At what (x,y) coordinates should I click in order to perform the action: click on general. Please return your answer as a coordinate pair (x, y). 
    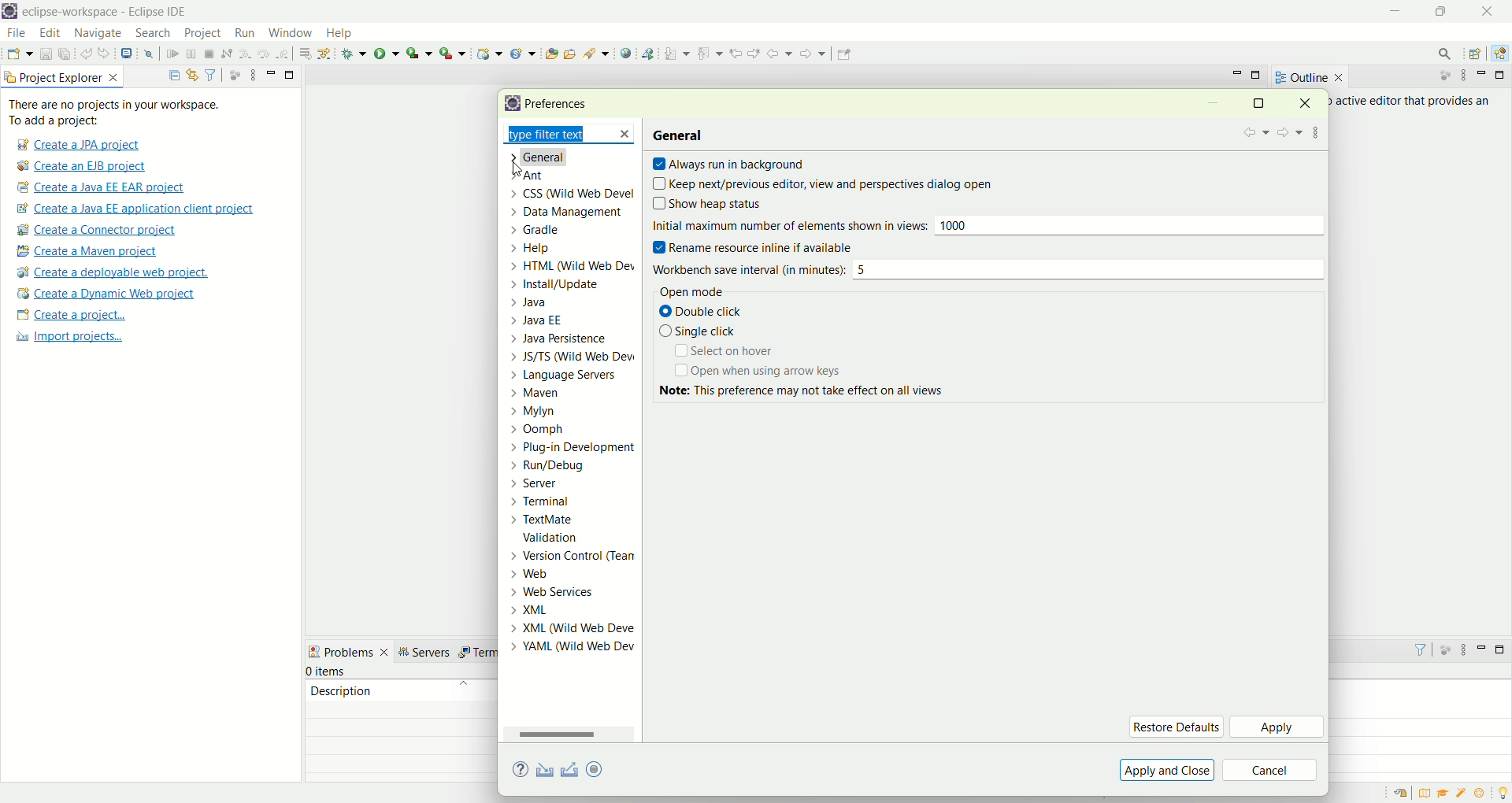
    Looking at the image, I should click on (559, 157).